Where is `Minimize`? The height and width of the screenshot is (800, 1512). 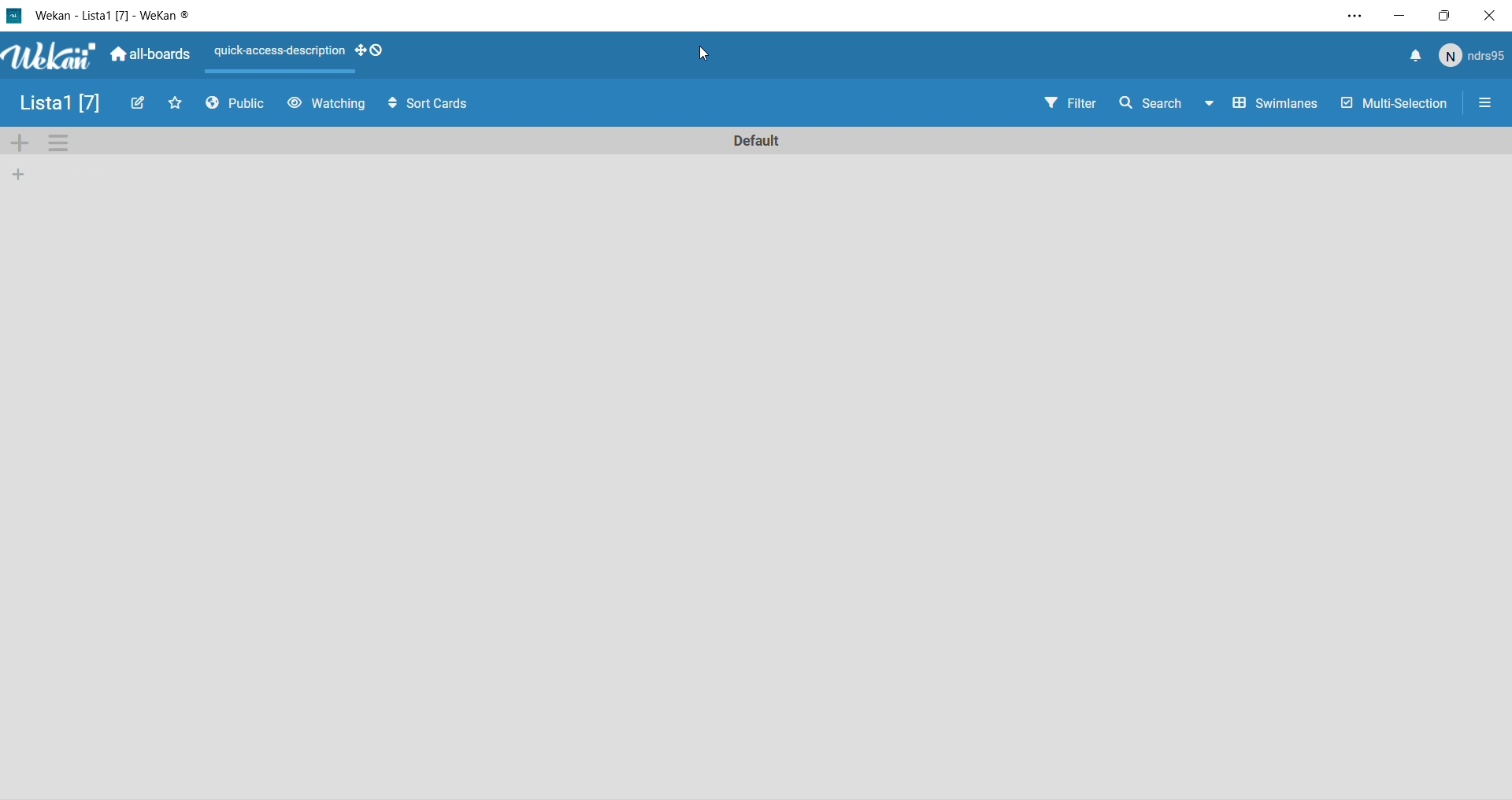 Minimize is located at coordinates (1397, 16).